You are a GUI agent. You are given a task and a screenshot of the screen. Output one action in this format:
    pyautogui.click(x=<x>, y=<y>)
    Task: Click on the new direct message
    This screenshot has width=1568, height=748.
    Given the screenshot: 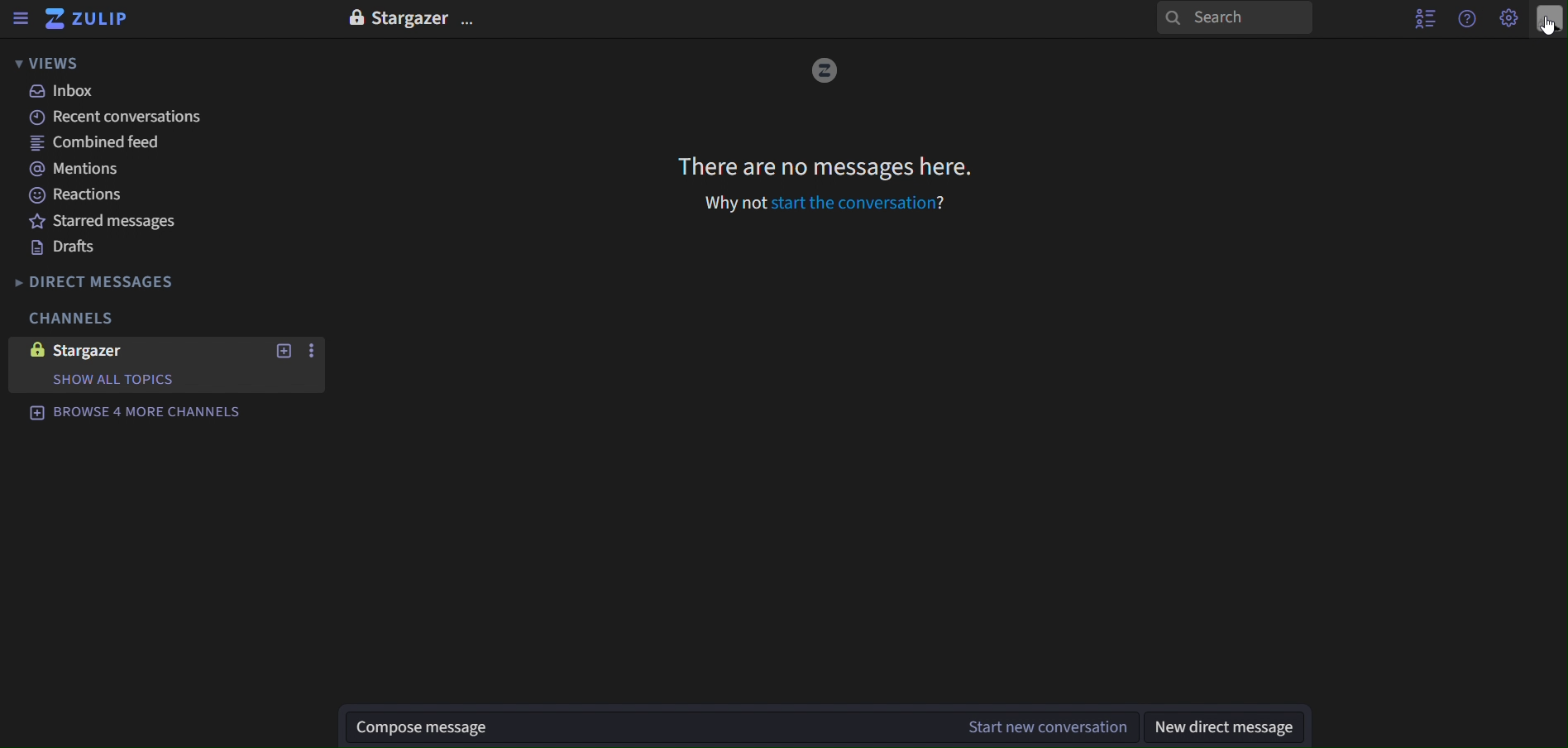 What is the action you would take?
    pyautogui.click(x=1228, y=724)
    